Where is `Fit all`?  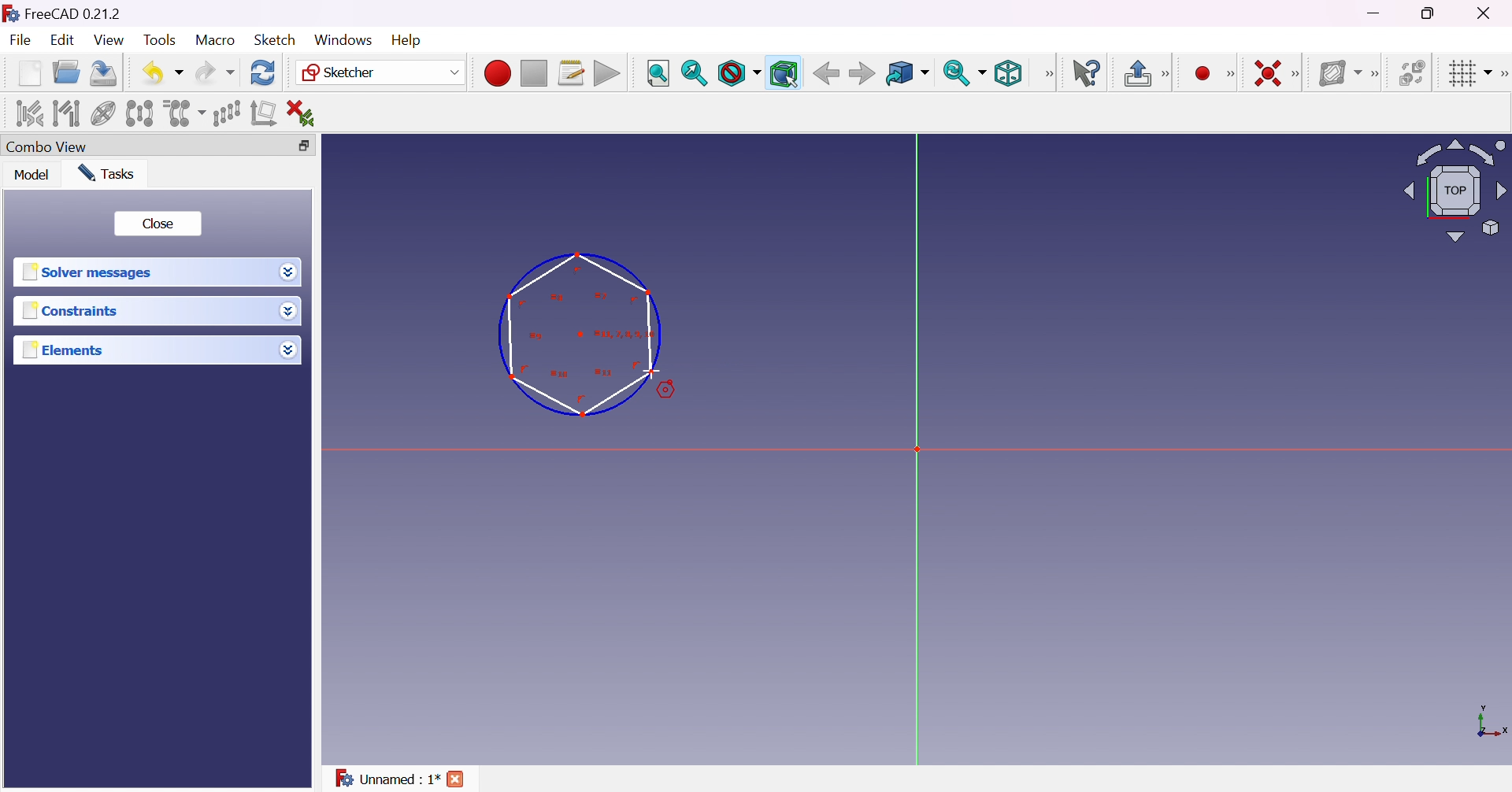 Fit all is located at coordinates (659, 74).